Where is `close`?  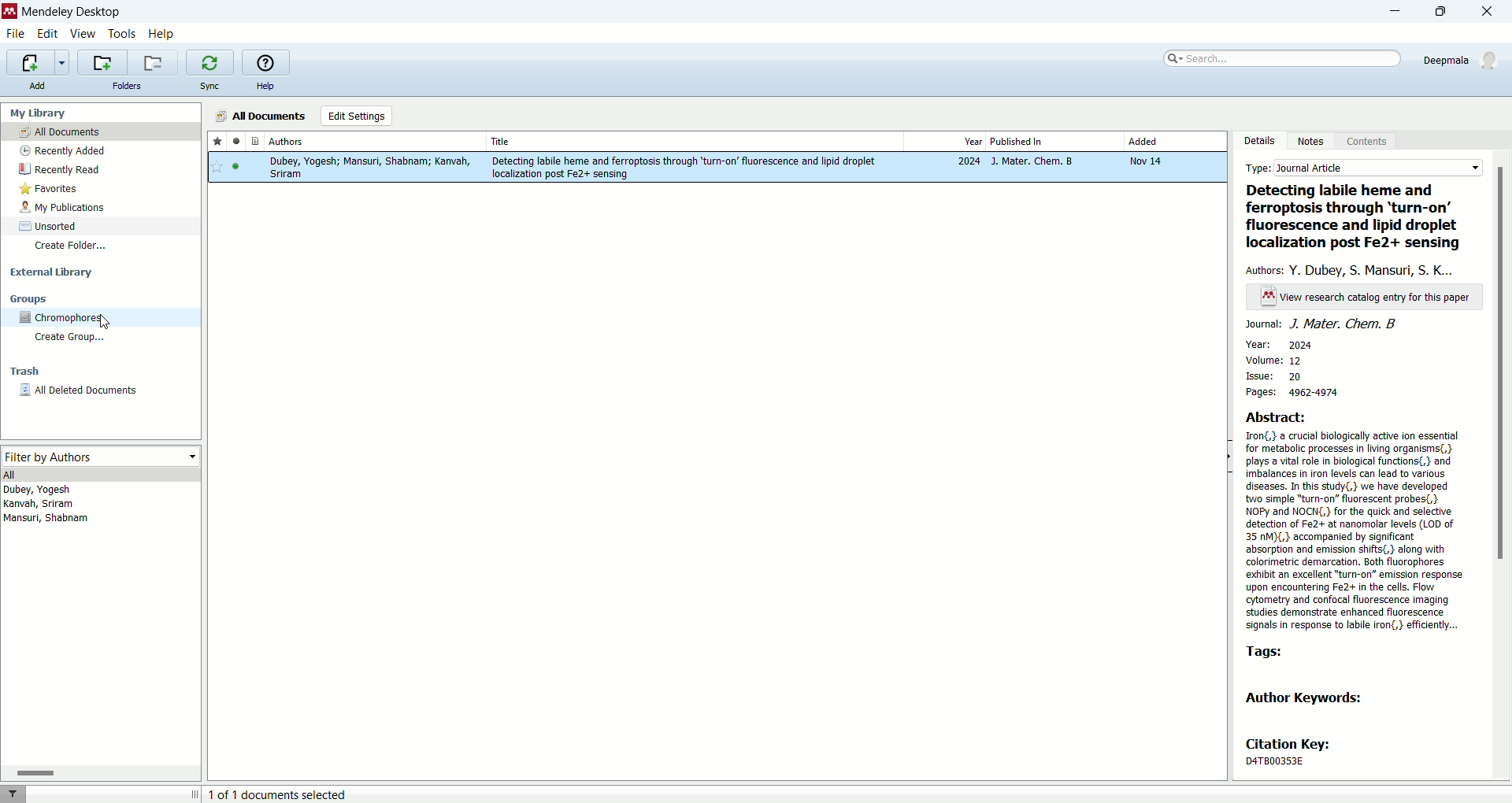 close is located at coordinates (1491, 11).